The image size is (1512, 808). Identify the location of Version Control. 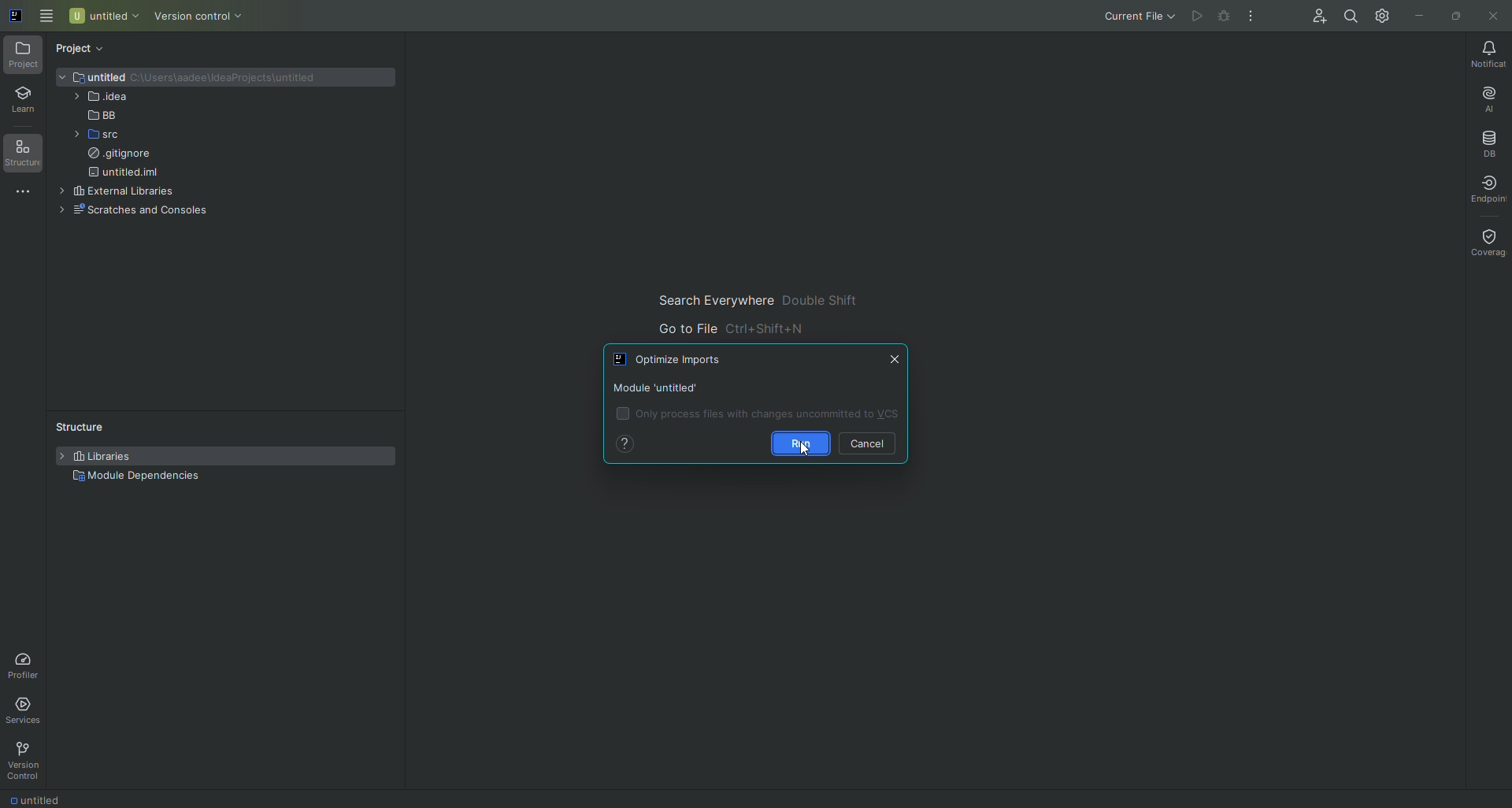
(204, 17).